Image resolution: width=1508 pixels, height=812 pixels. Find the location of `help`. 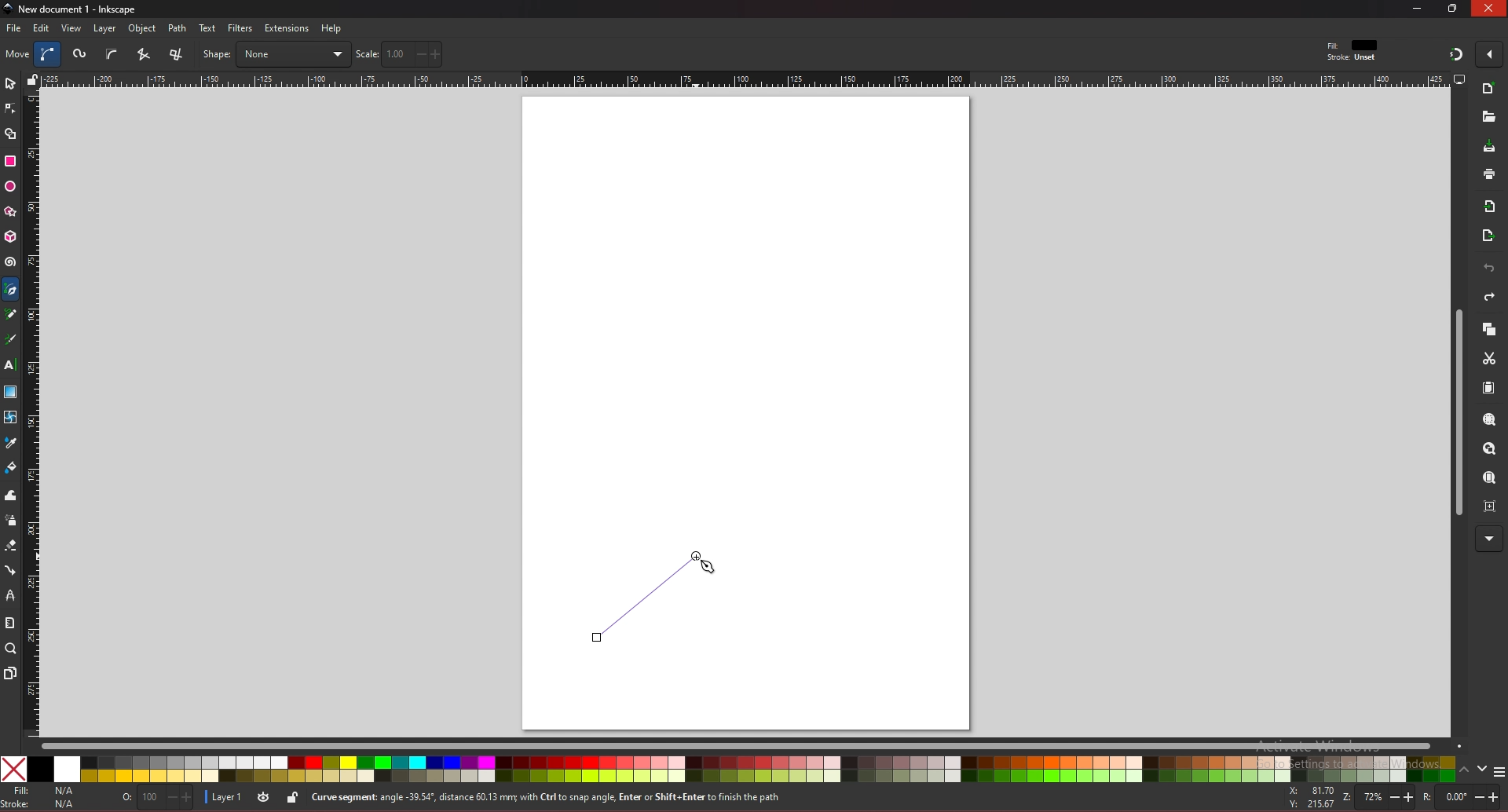

help is located at coordinates (332, 28).